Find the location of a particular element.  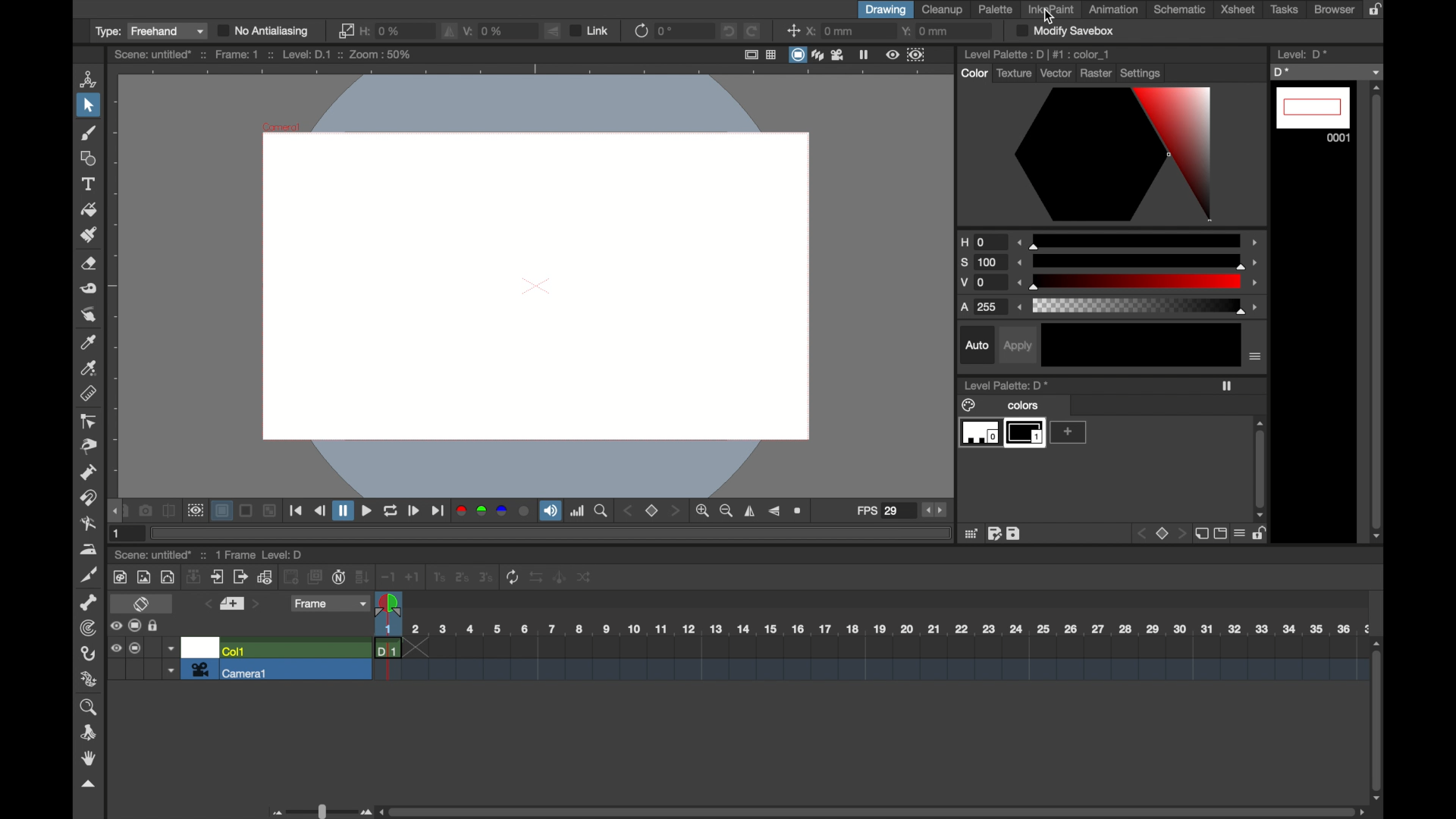

dropdown is located at coordinates (171, 648).